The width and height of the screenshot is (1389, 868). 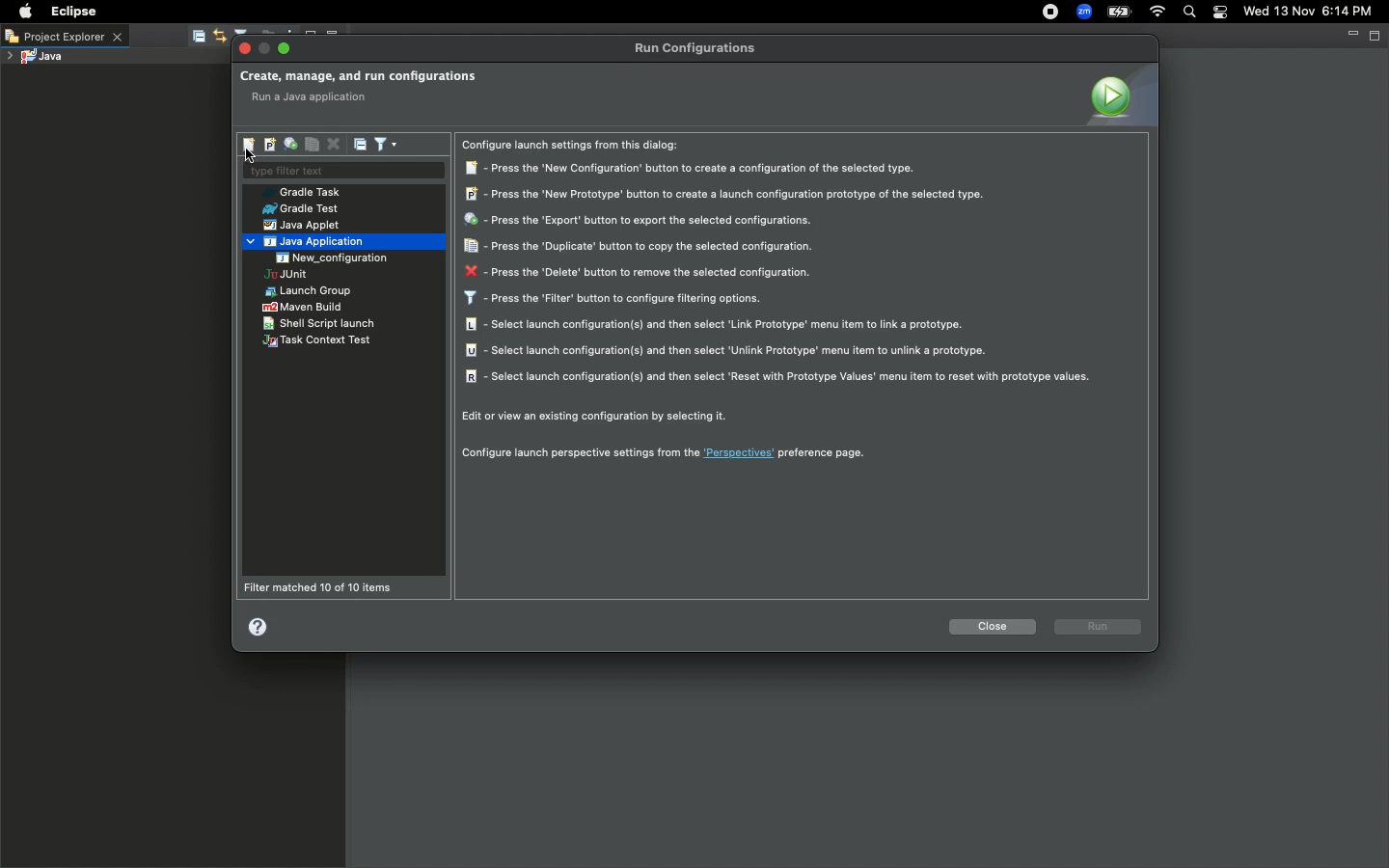 What do you see at coordinates (698, 48) in the screenshot?
I see `Run configurations` at bounding box center [698, 48].